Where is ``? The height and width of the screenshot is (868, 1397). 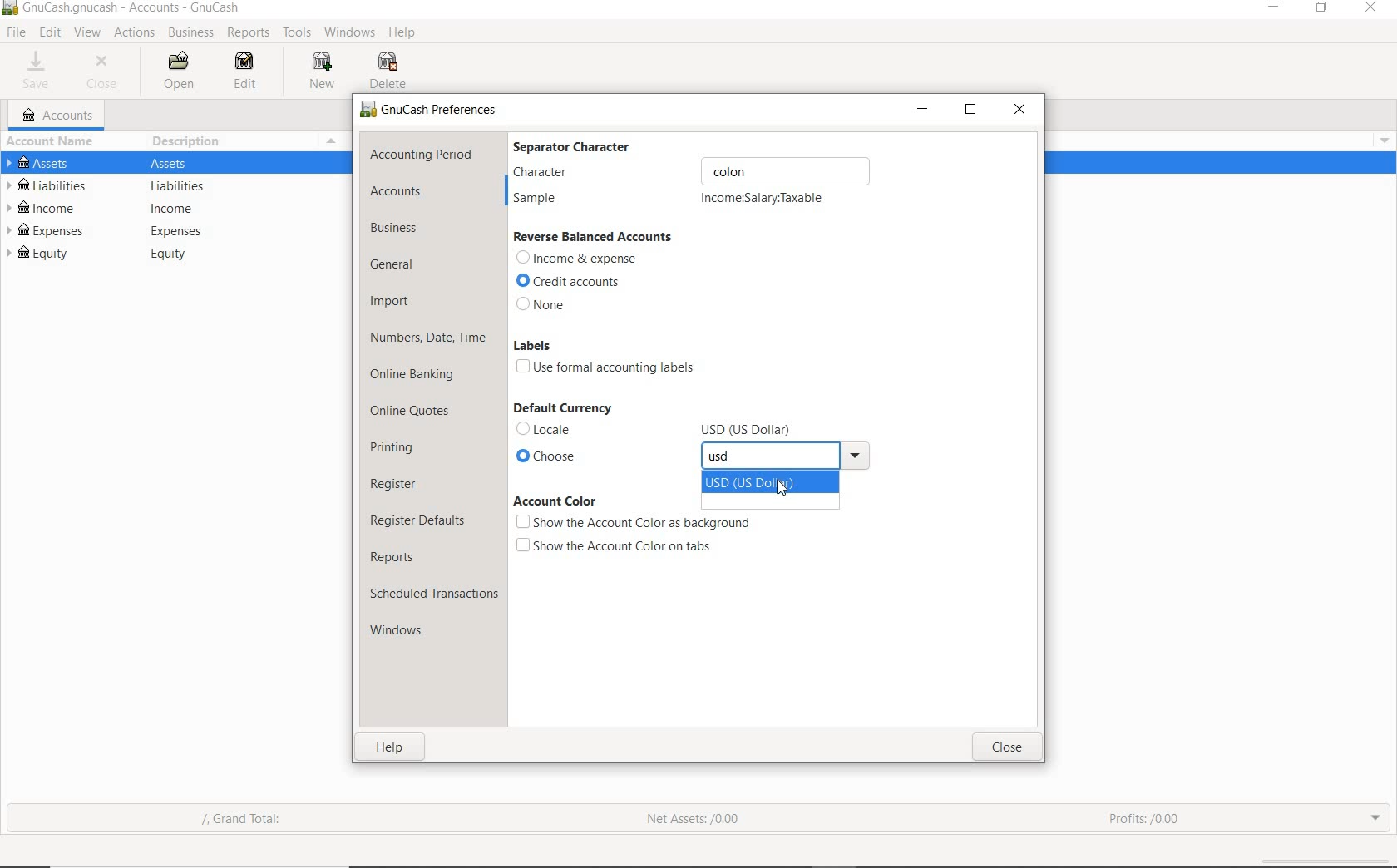  is located at coordinates (177, 162).